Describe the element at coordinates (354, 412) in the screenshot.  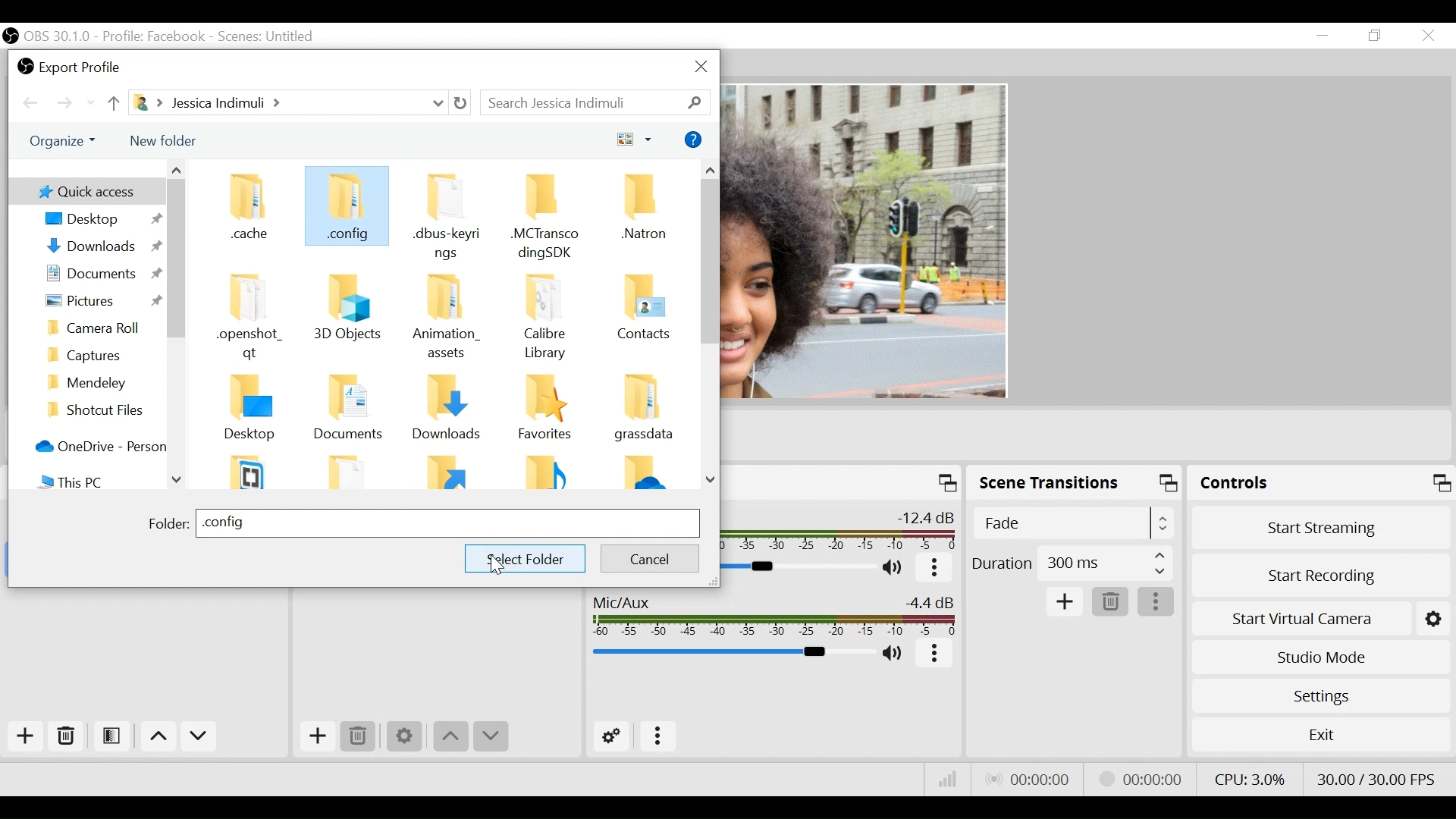
I see `Folder` at that location.